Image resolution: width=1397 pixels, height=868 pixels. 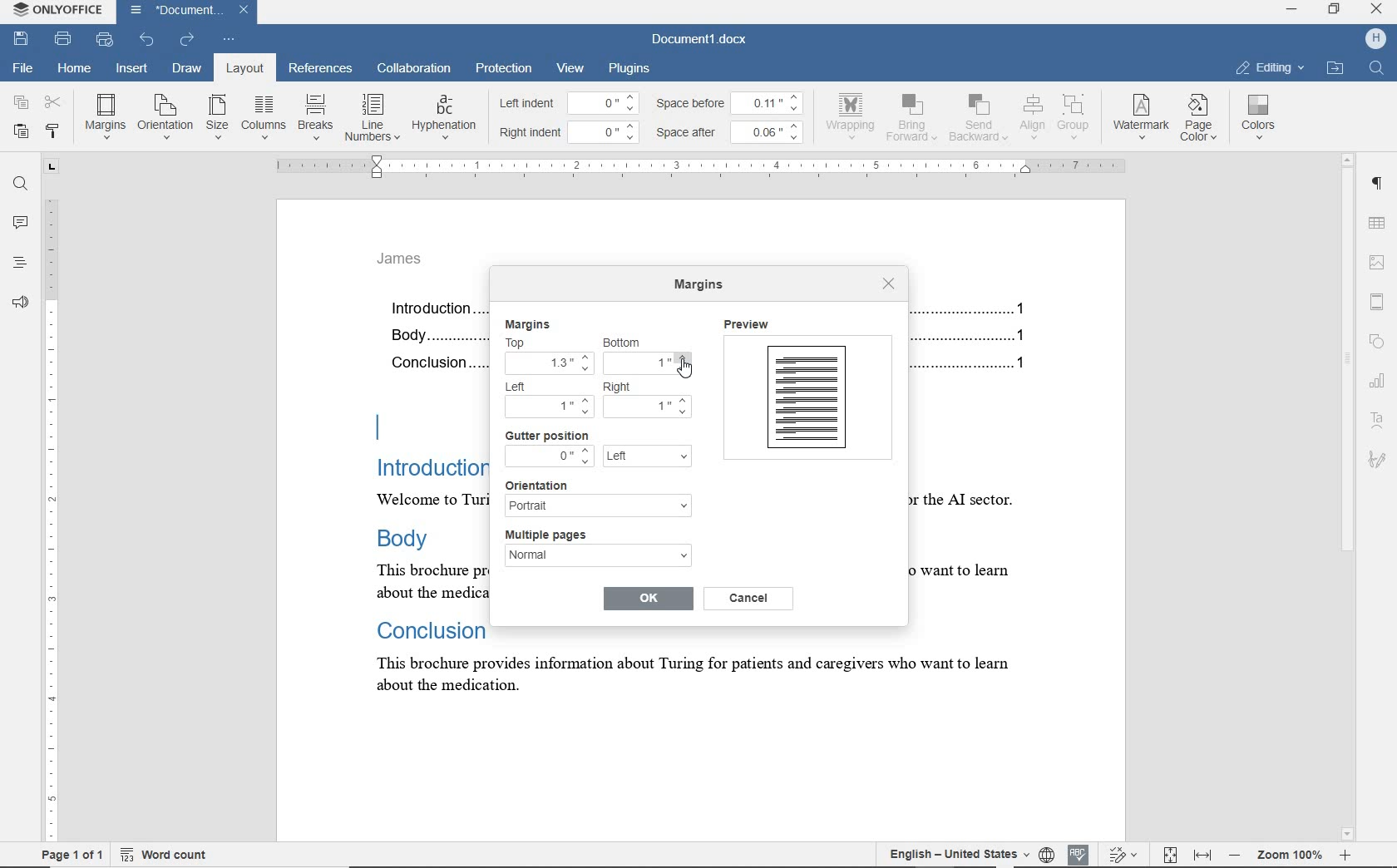 What do you see at coordinates (1380, 384) in the screenshot?
I see `chart` at bounding box center [1380, 384].